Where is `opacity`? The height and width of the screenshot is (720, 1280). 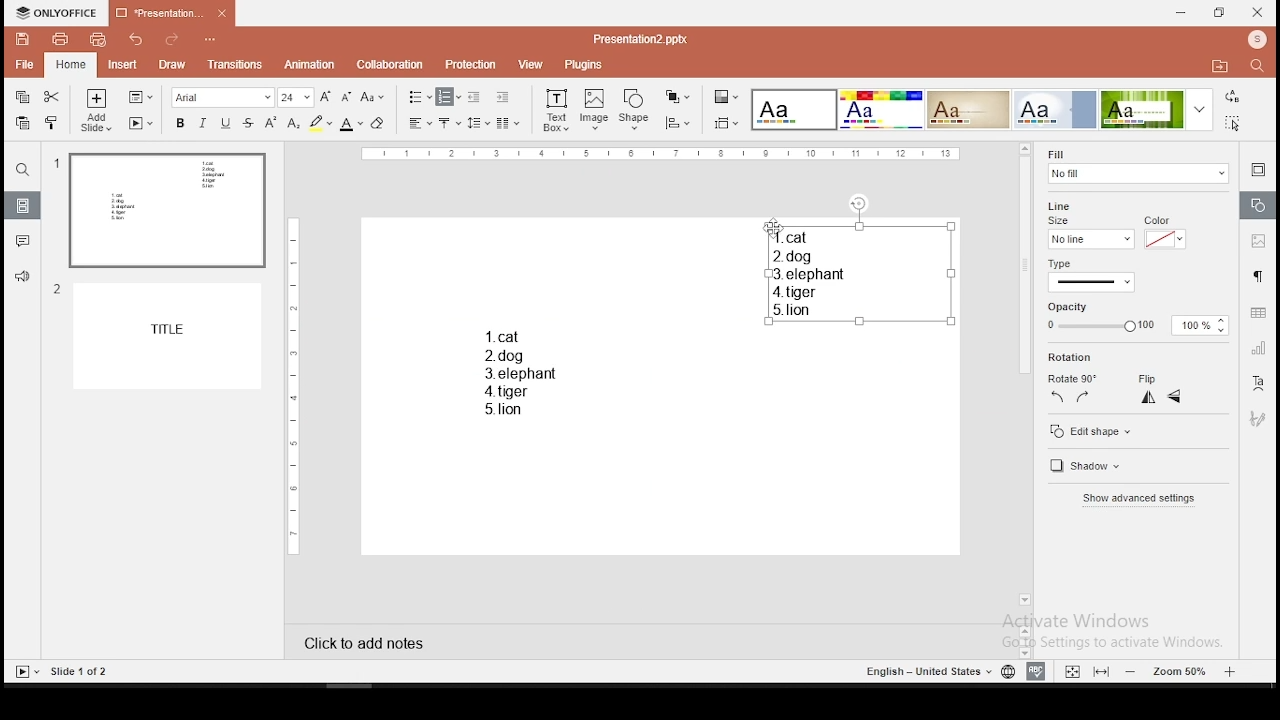
opacity is located at coordinates (1138, 318).